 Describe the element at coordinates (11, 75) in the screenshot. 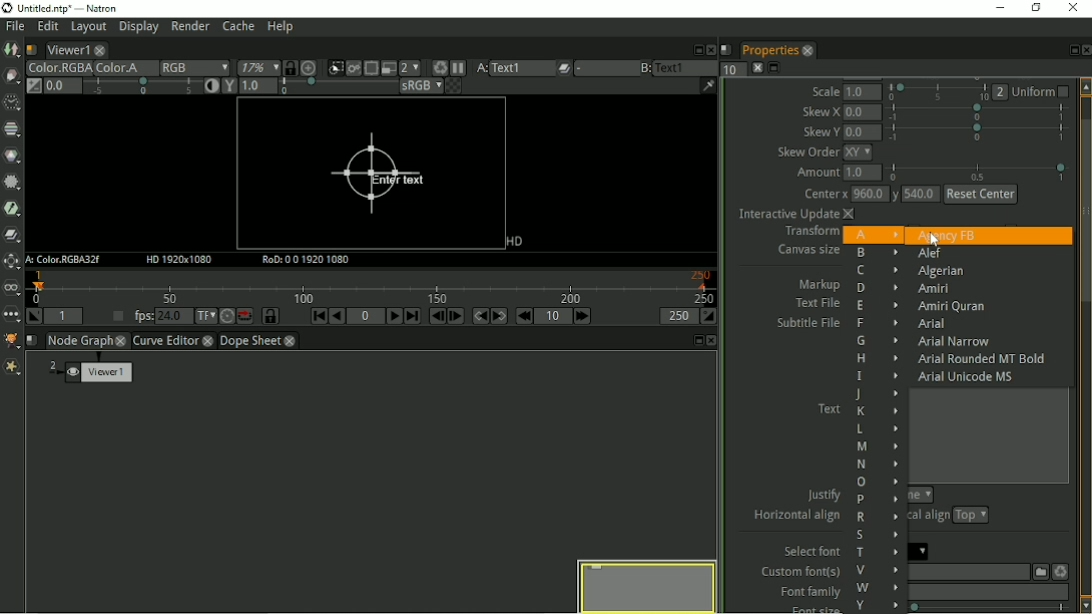

I see `Draw` at that location.